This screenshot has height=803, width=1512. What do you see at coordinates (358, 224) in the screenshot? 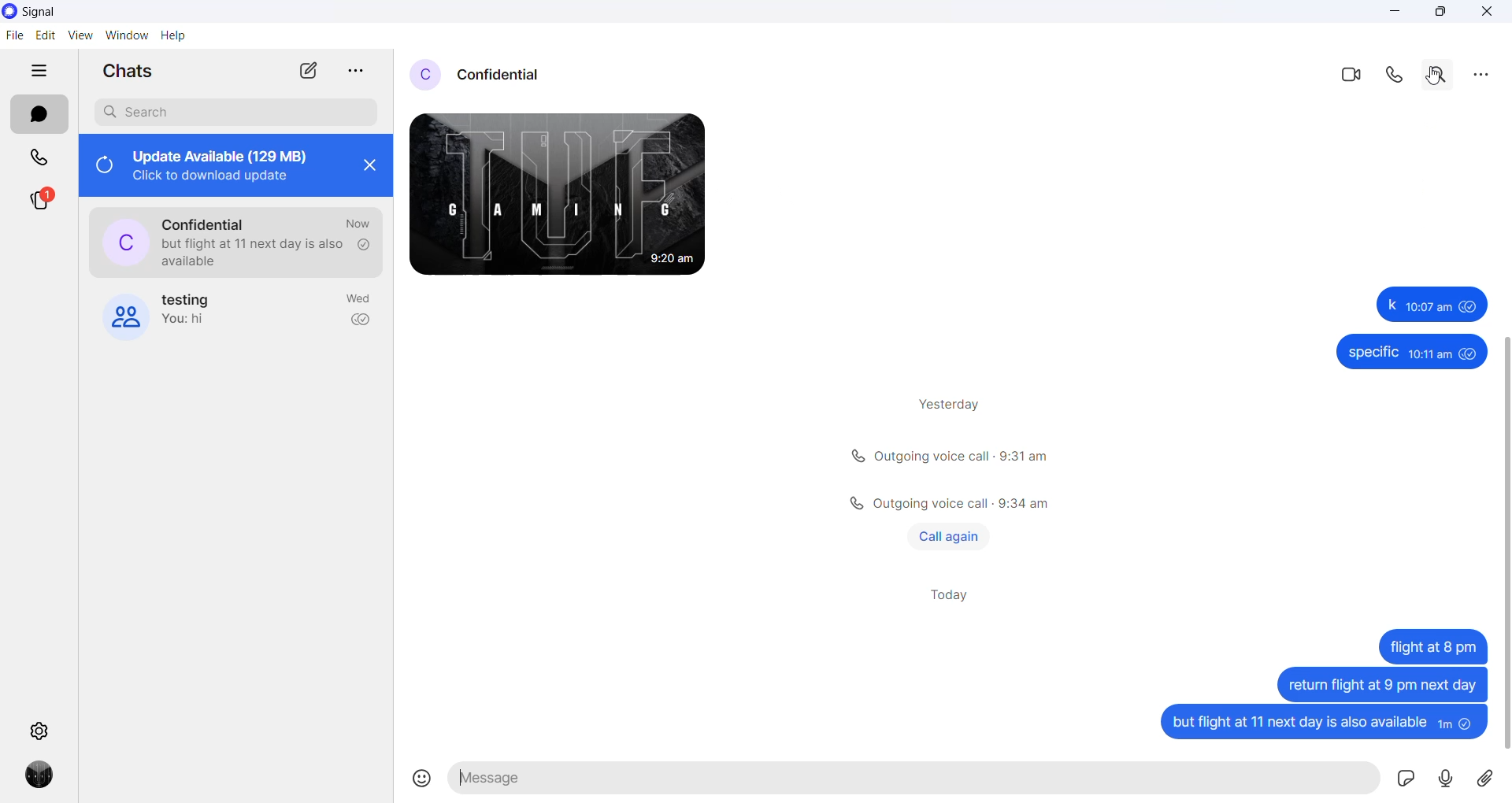
I see `last active` at bounding box center [358, 224].